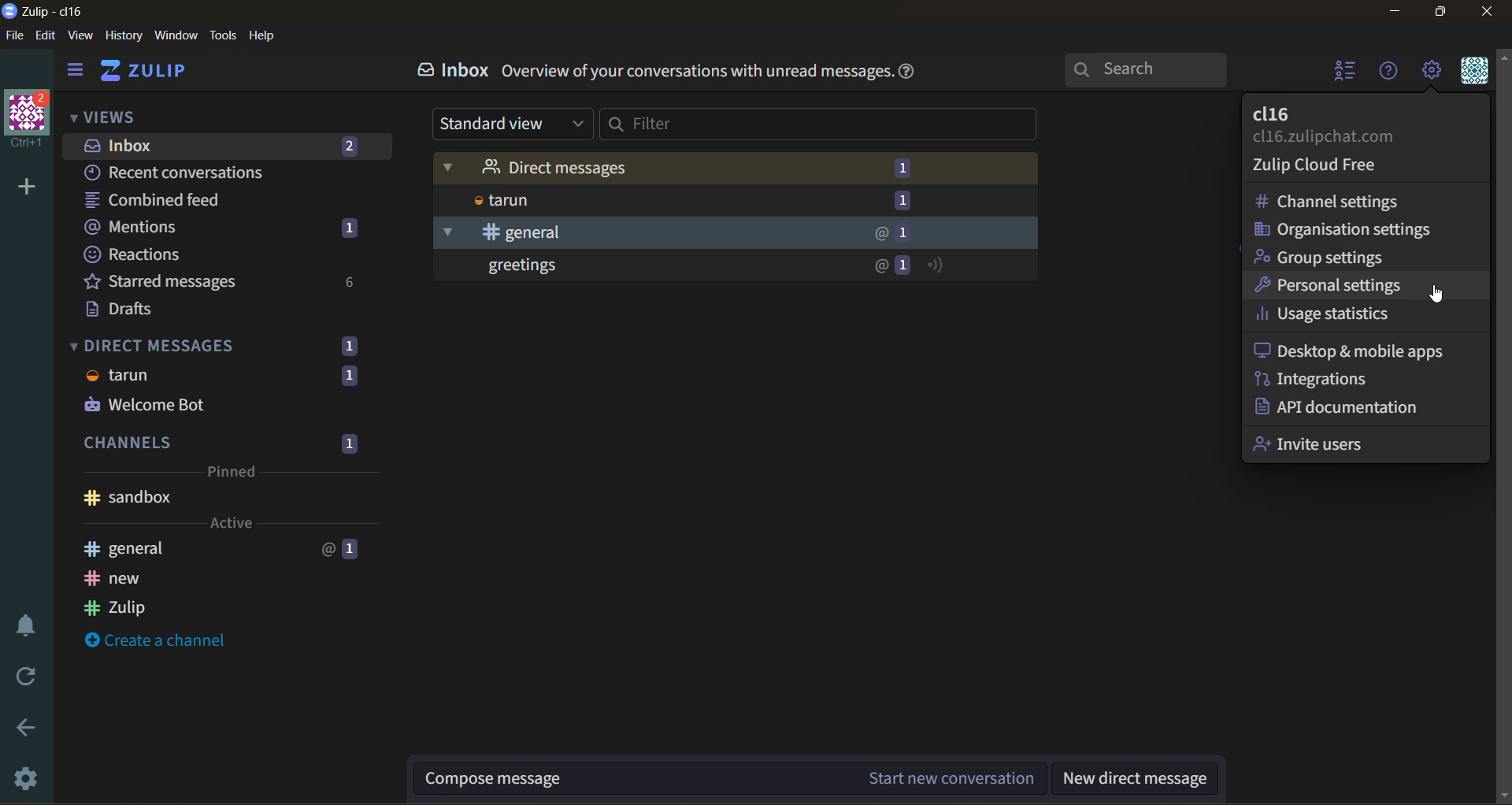 The height and width of the screenshot is (805, 1512). Describe the element at coordinates (143, 309) in the screenshot. I see `drafts` at that location.